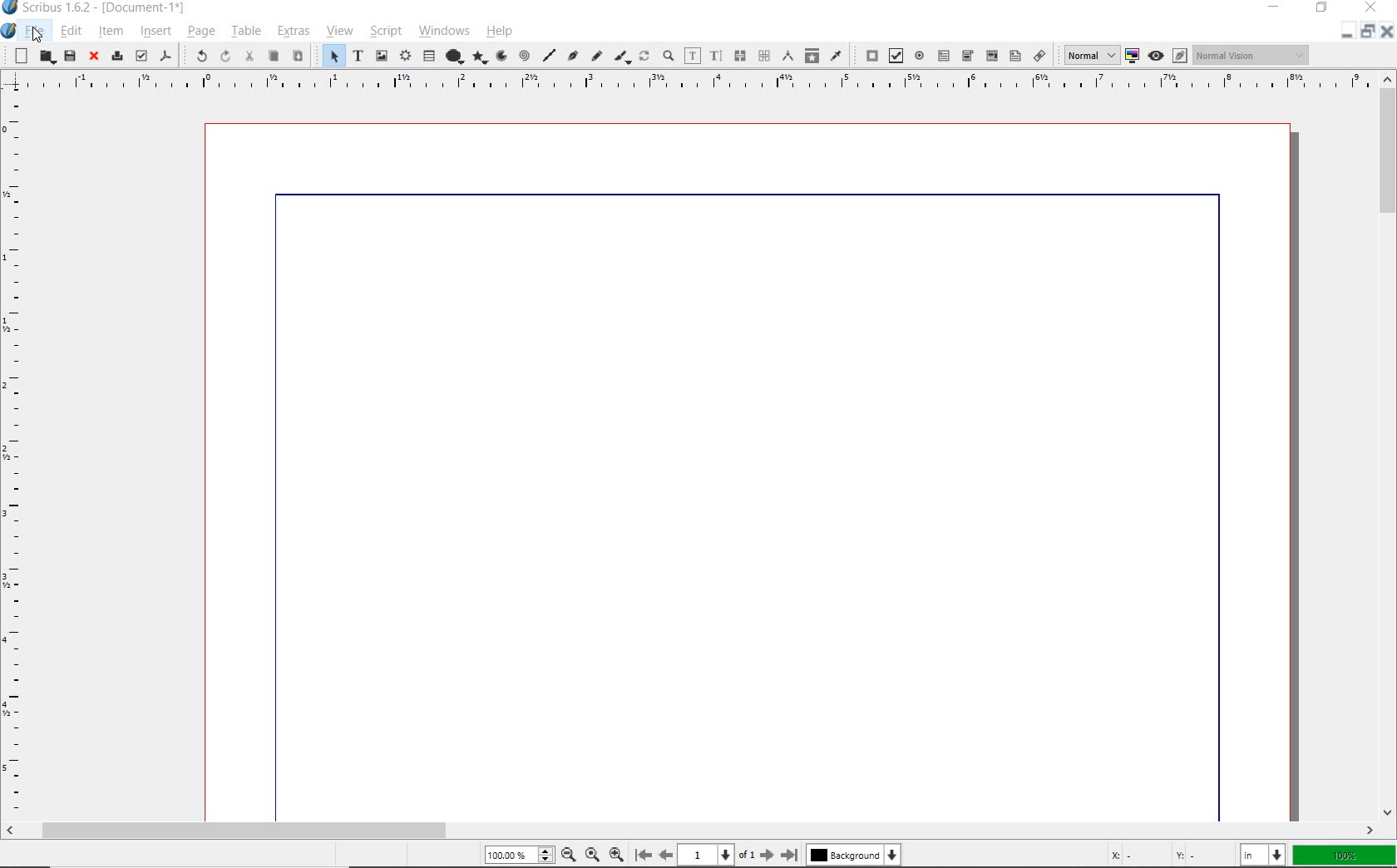 The width and height of the screenshot is (1397, 868). What do you see at coordinates (443, 30) in the screenshot?
I see `windows` at bounding box center [443, 30].